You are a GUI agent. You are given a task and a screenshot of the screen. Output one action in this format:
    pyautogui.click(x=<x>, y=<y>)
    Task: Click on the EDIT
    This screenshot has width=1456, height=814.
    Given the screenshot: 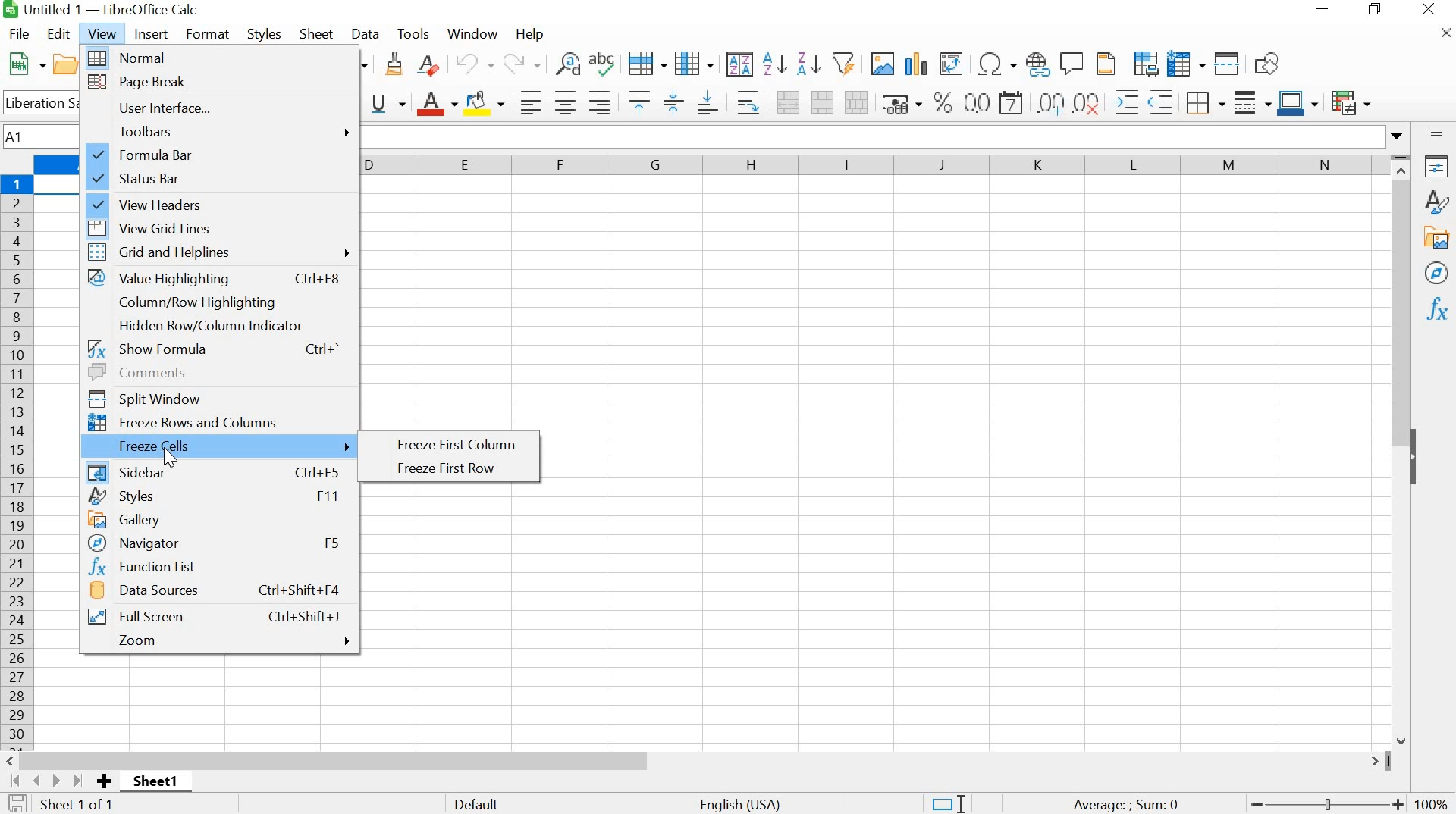 What is the action you would take?
    pyautogui.click(x=60, y=34)
    